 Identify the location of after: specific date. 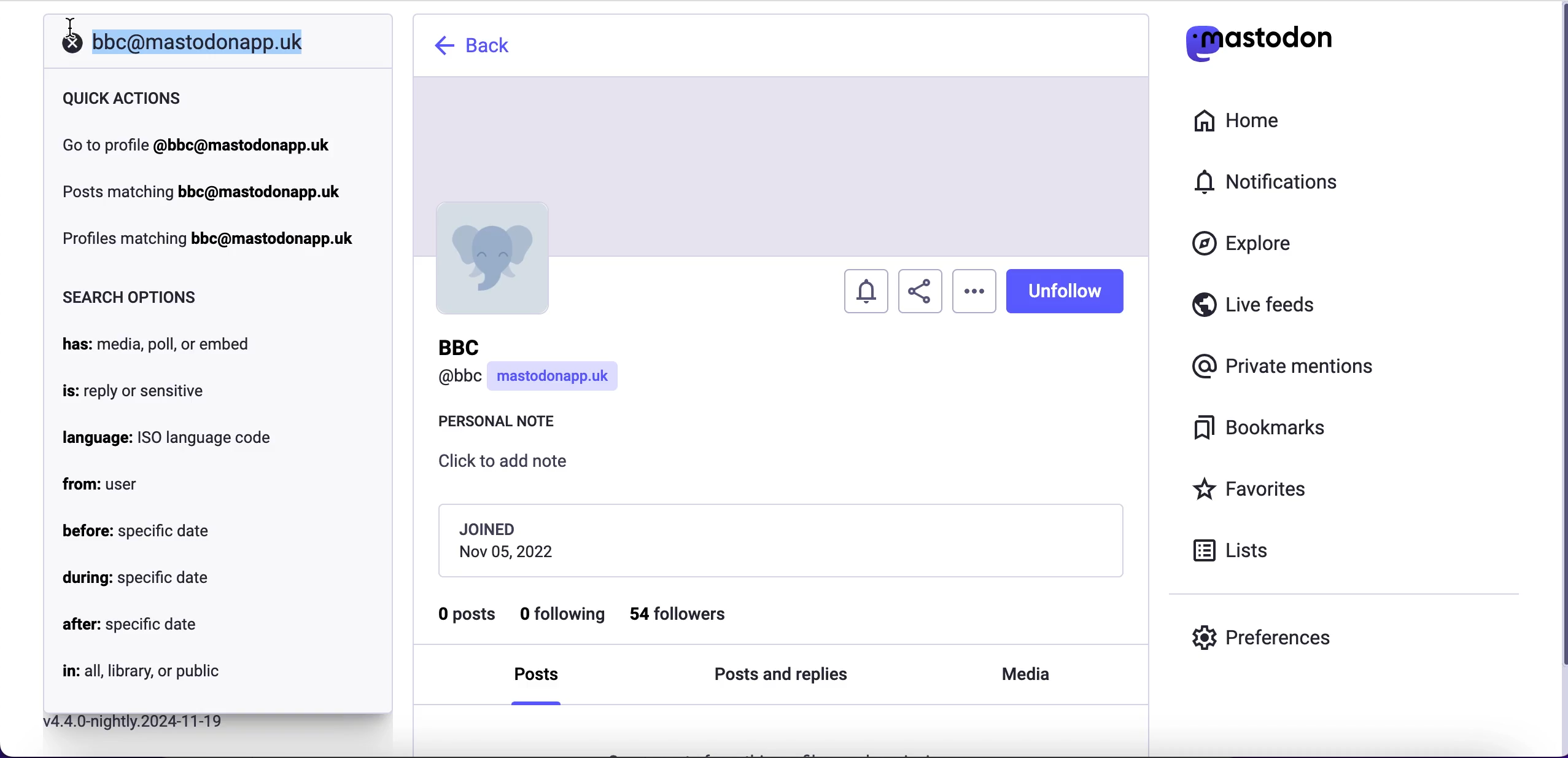
(130, 628).